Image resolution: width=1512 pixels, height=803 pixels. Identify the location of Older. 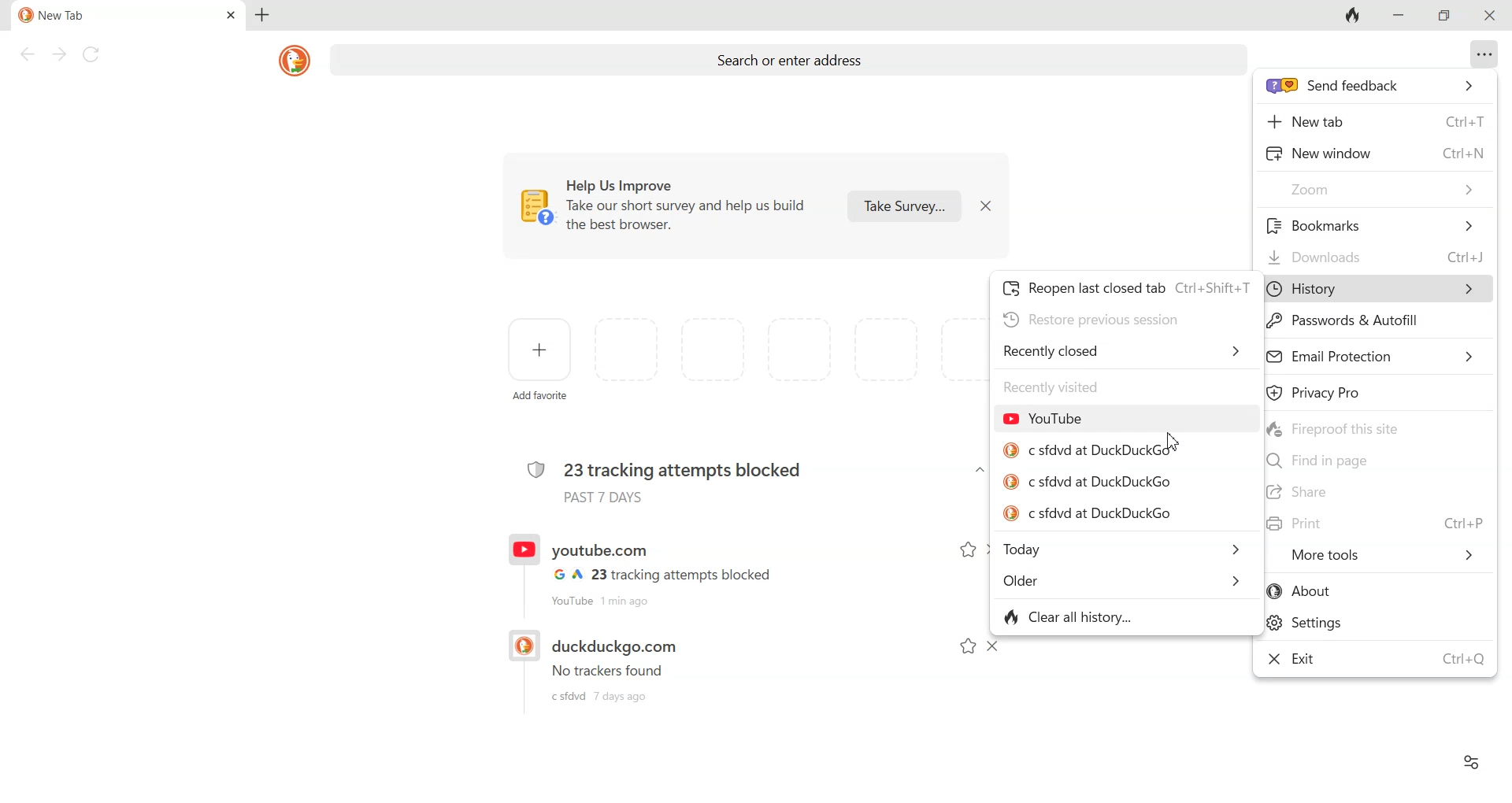
(1123, 581).